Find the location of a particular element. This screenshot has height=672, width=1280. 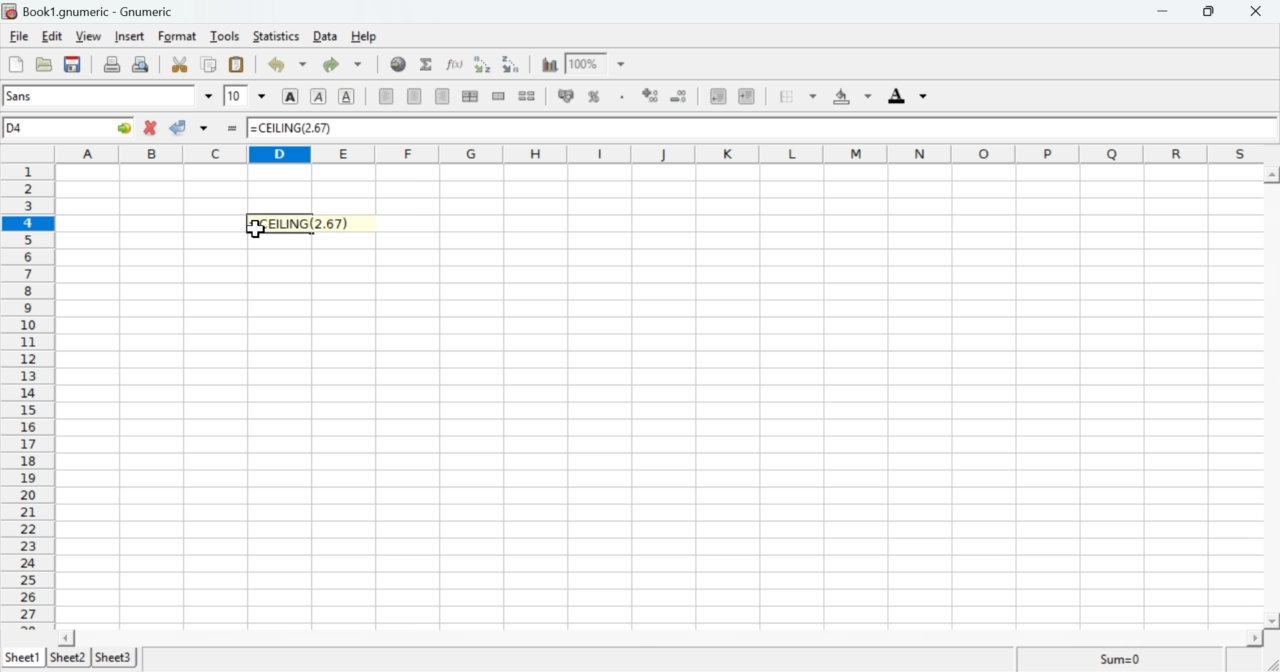

Undo is located at coordinates (287, 65).